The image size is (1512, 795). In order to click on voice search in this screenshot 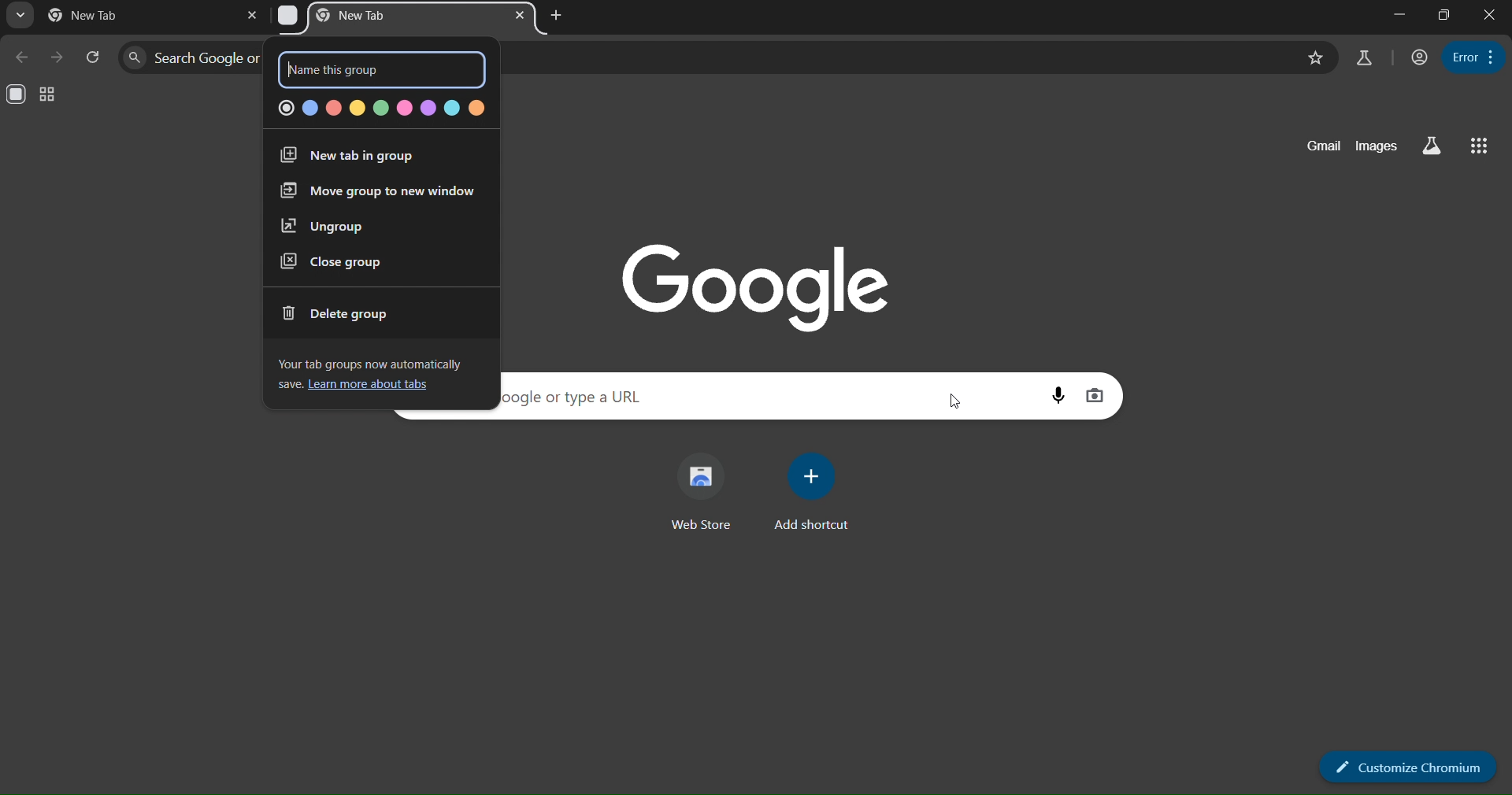, I will do `click(1057, 395)`.